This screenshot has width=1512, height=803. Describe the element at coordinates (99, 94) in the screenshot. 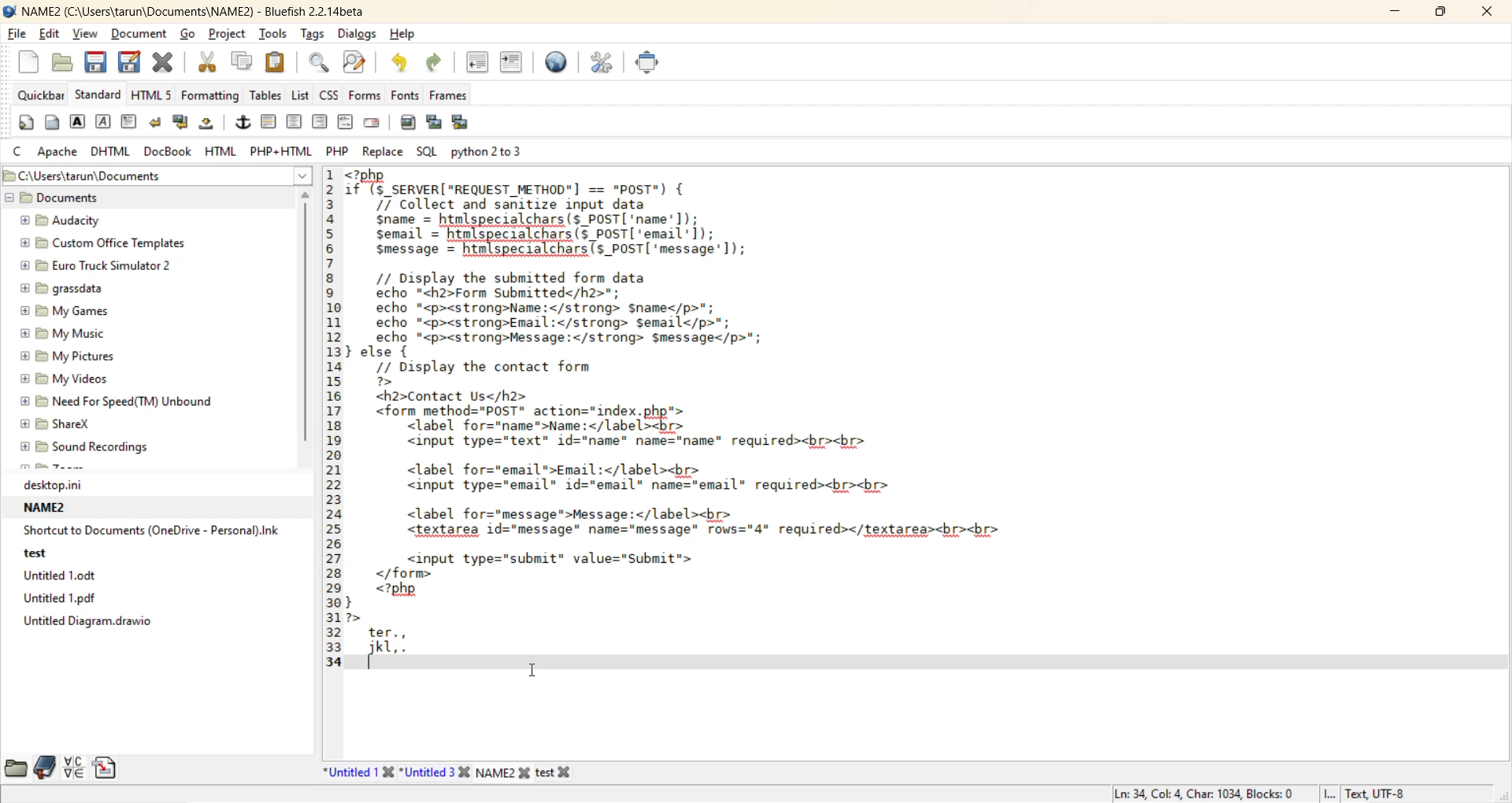

I see `standard` at that location.